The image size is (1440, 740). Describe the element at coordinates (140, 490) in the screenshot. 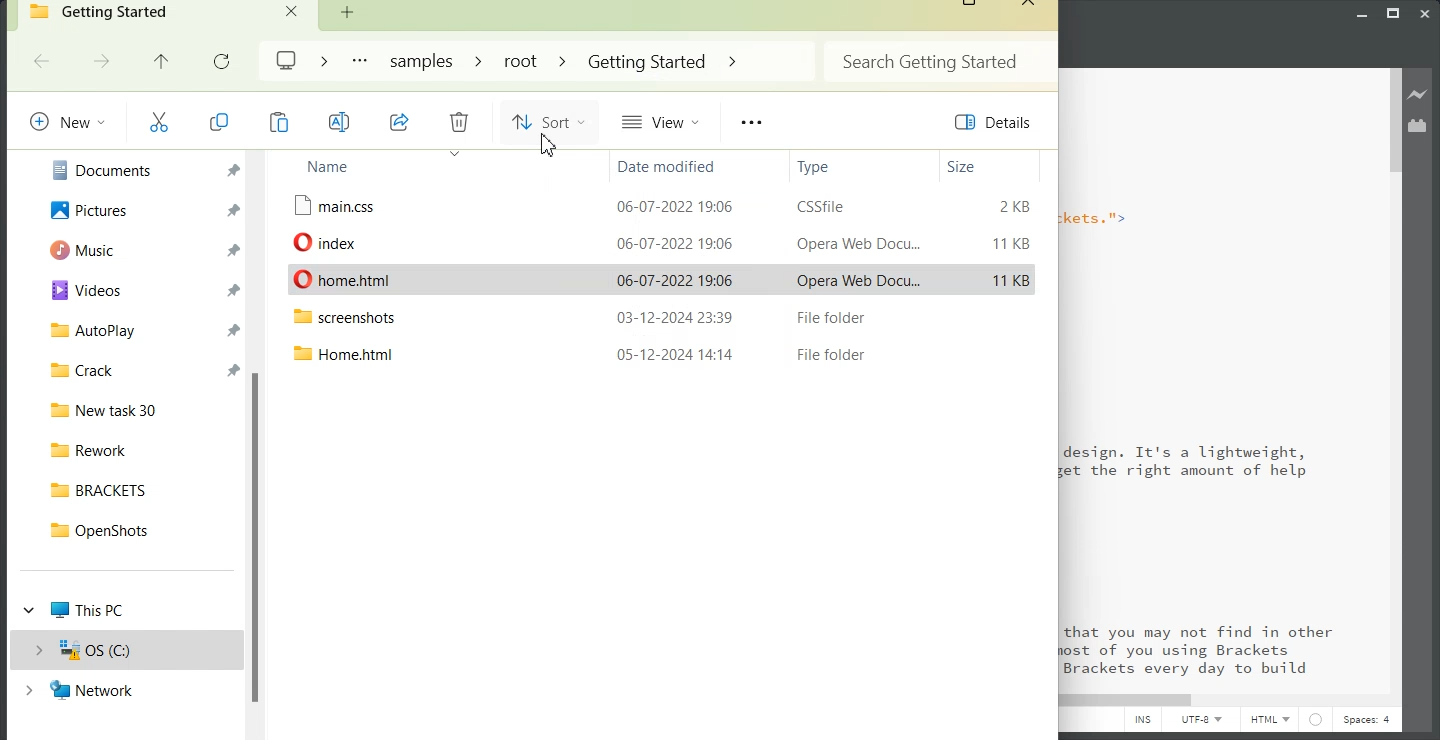

I see `BRACKETS File` at that location.